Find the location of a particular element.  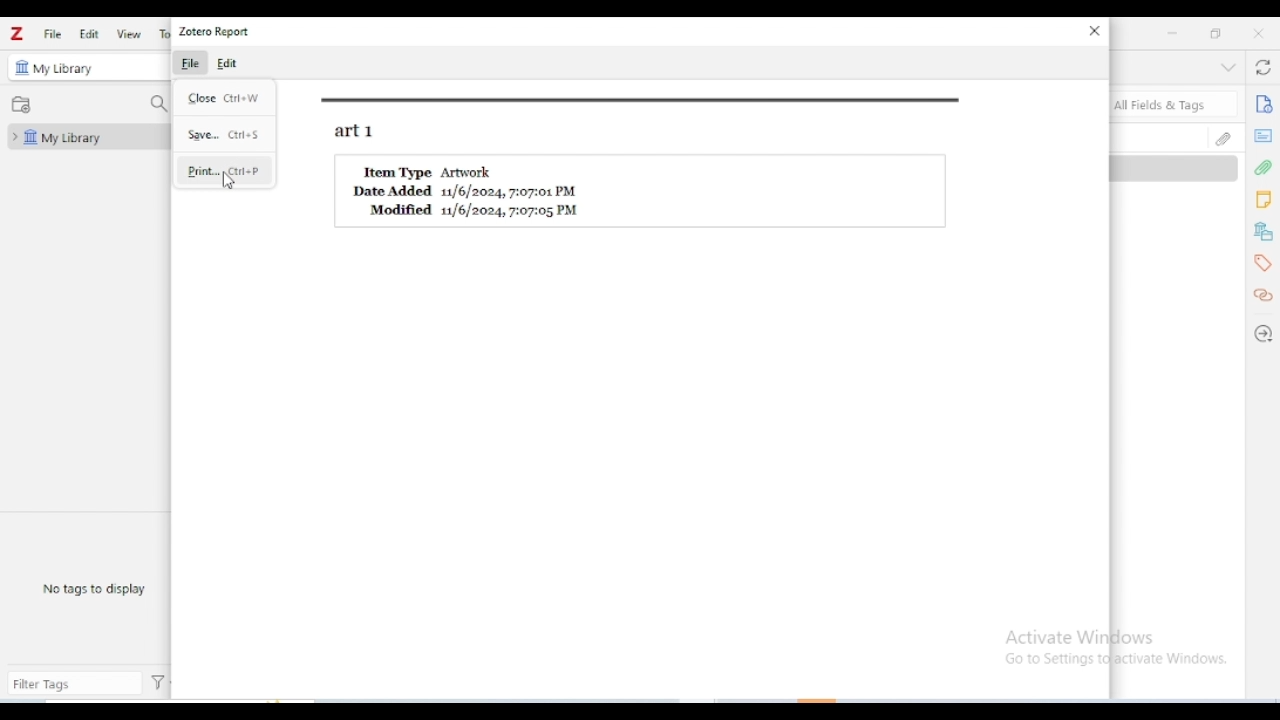

minimize is located at coordinates (1173, 33).